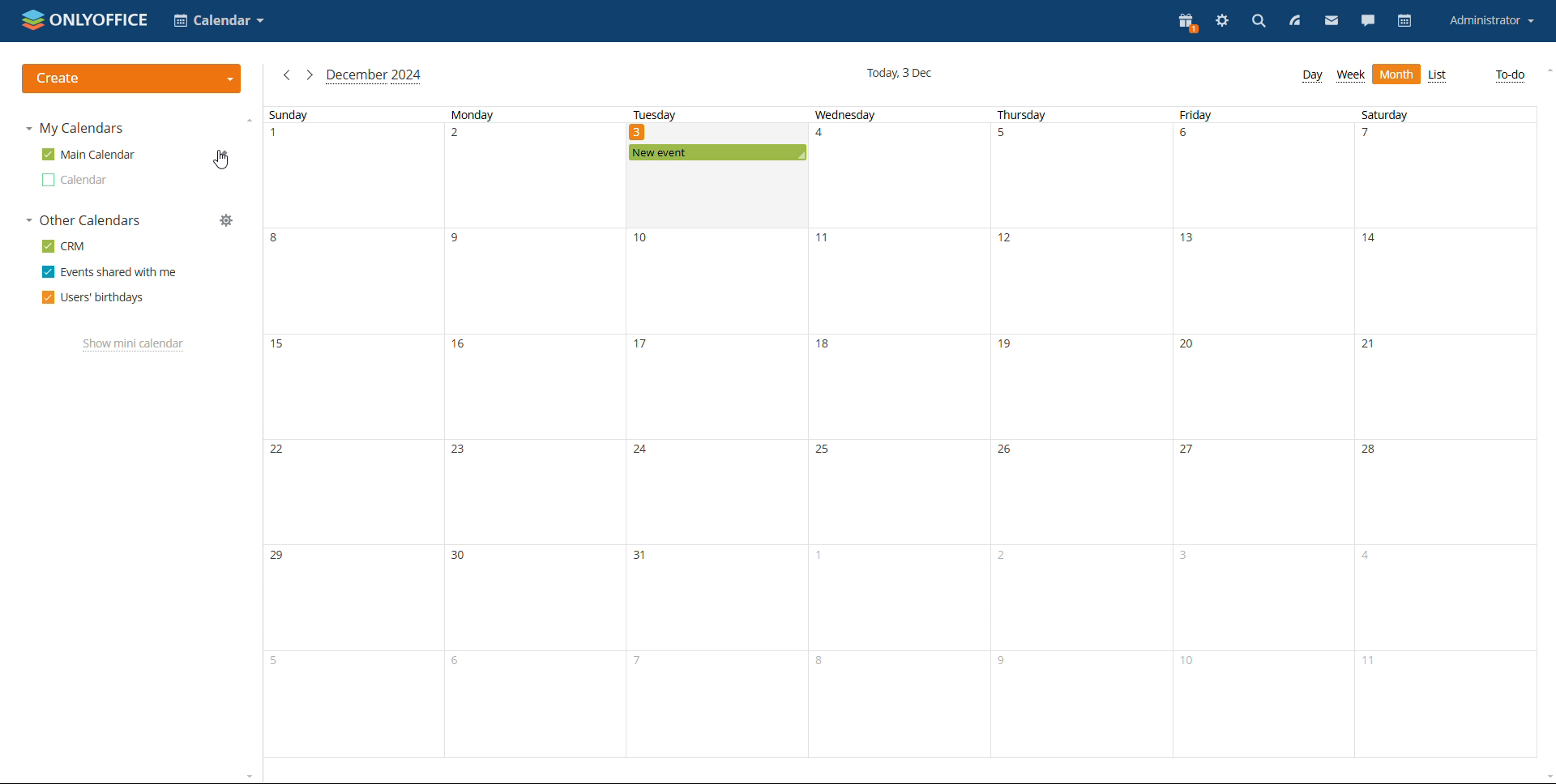  I want to click on other calendar, so click(76, 180).